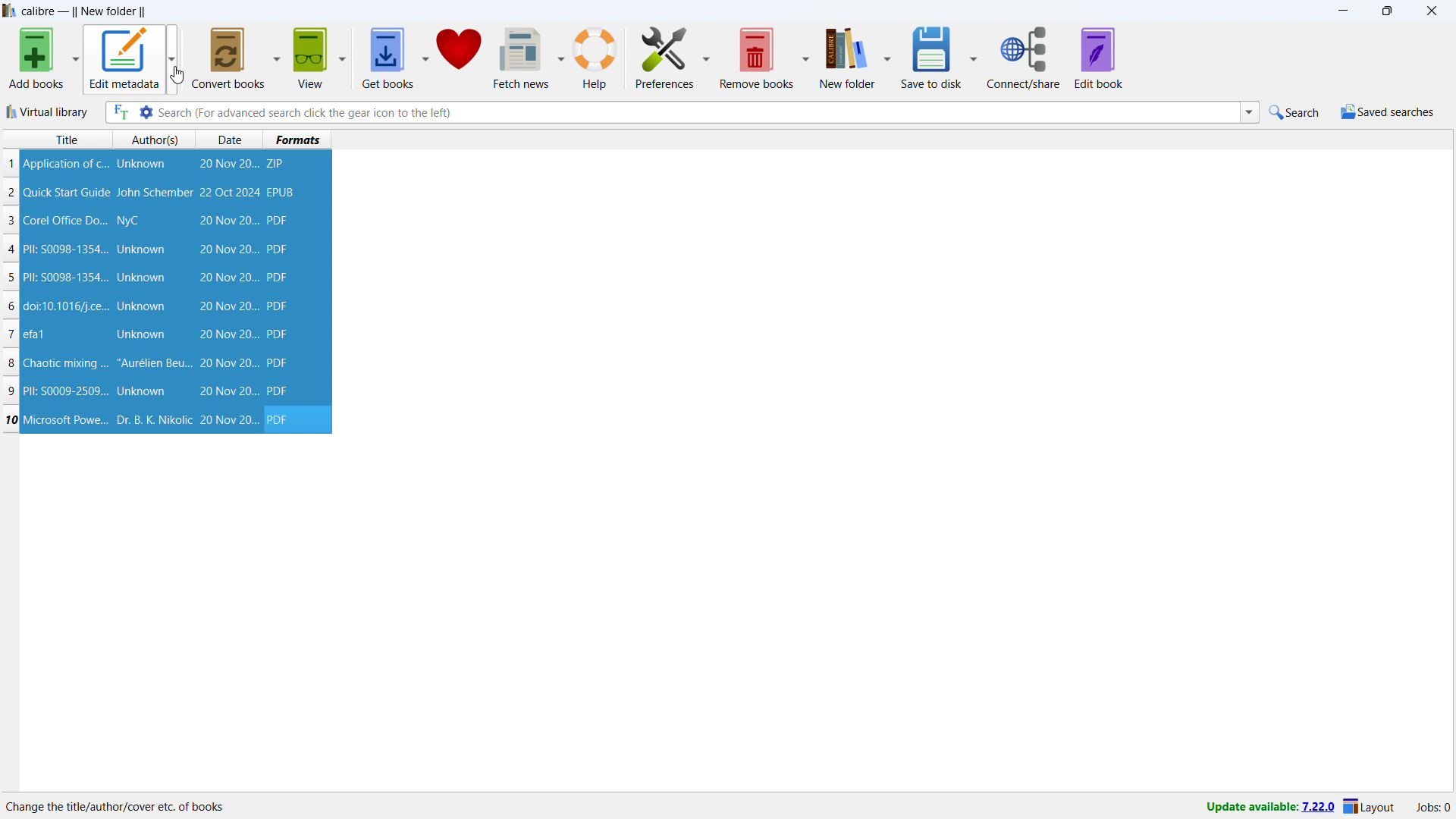 This screenshot has height=819, width=1456. I want to click on layout, so click(1370, 808).